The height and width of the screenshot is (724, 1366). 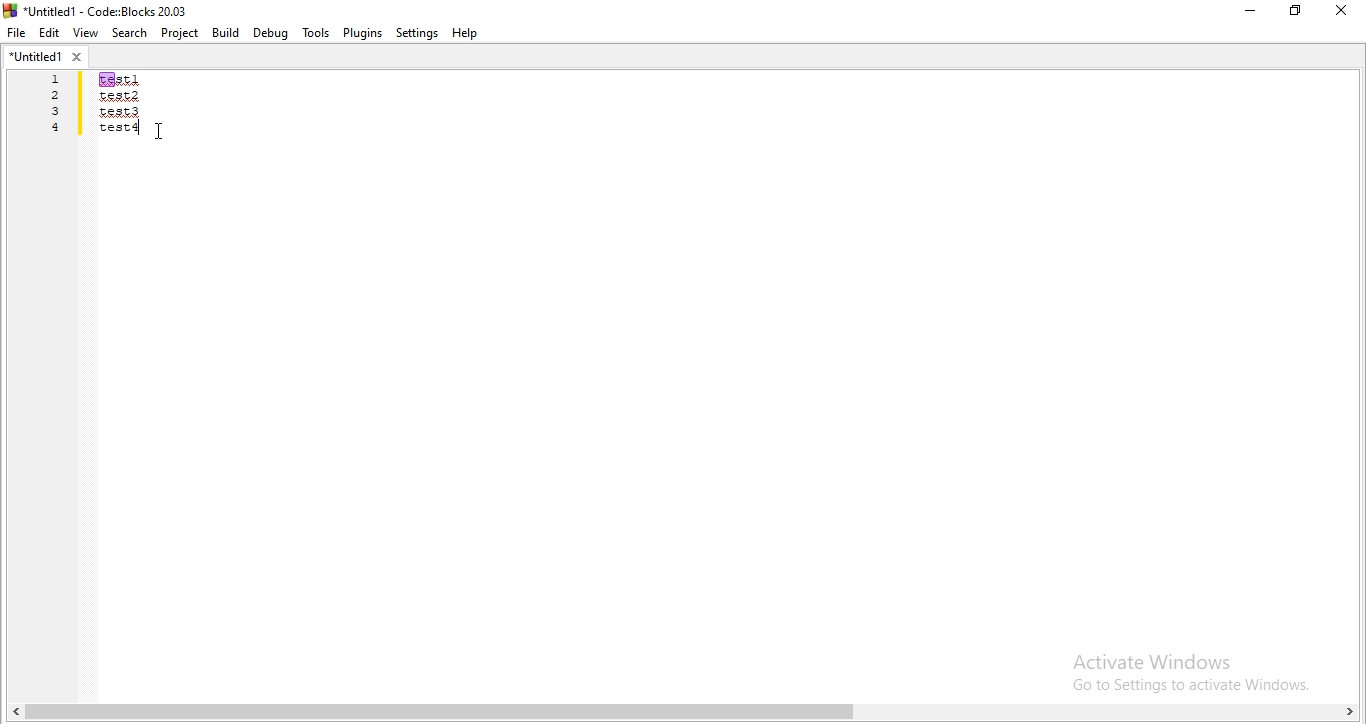 I want to click on Restore, so click(x=1294, y=13).